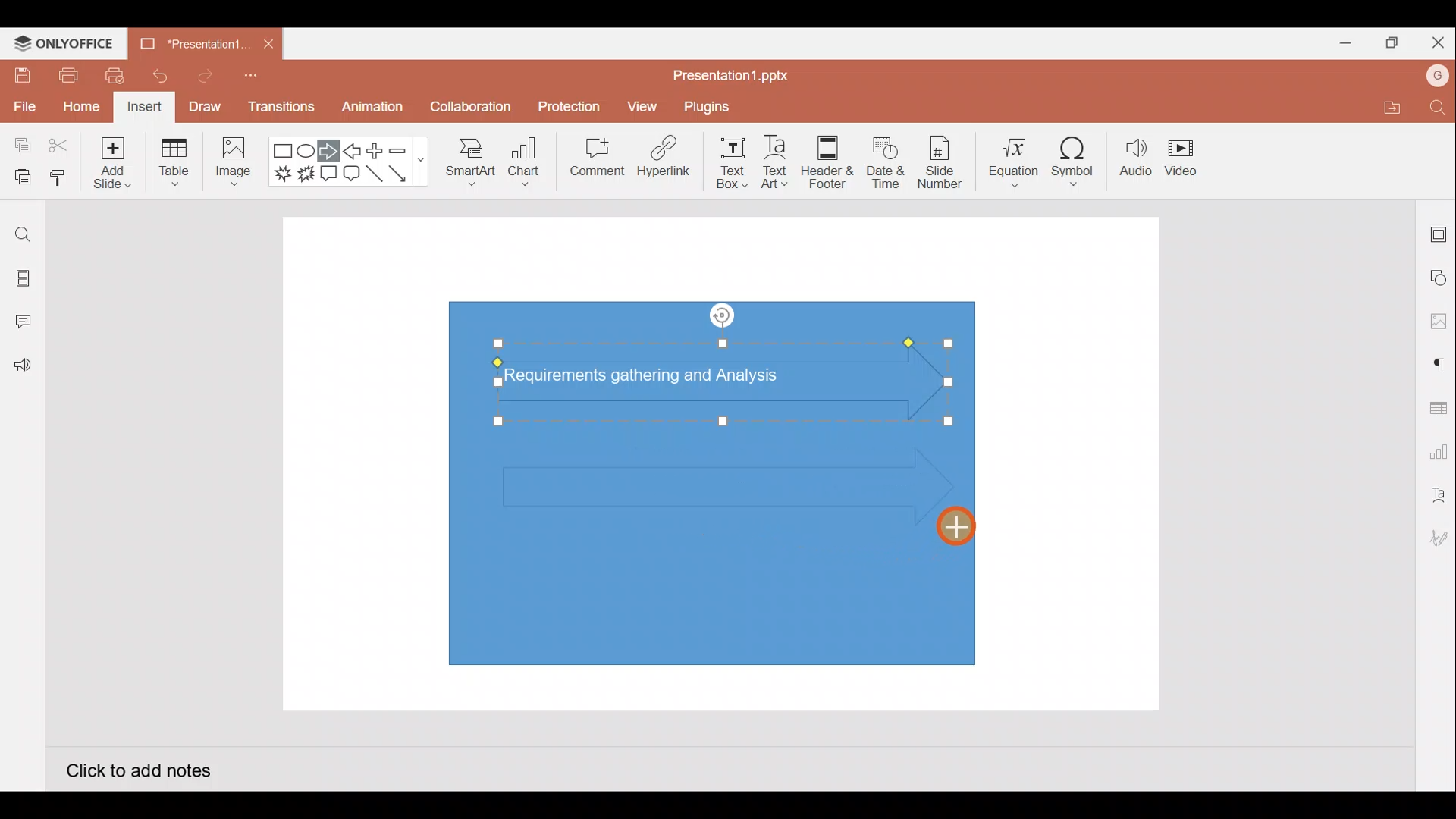 This screenshot has height=819, width=1456. What do you see at coordinates (145, 108) in the screenshot?
I see `Insert` at bounding box center [145, 108].